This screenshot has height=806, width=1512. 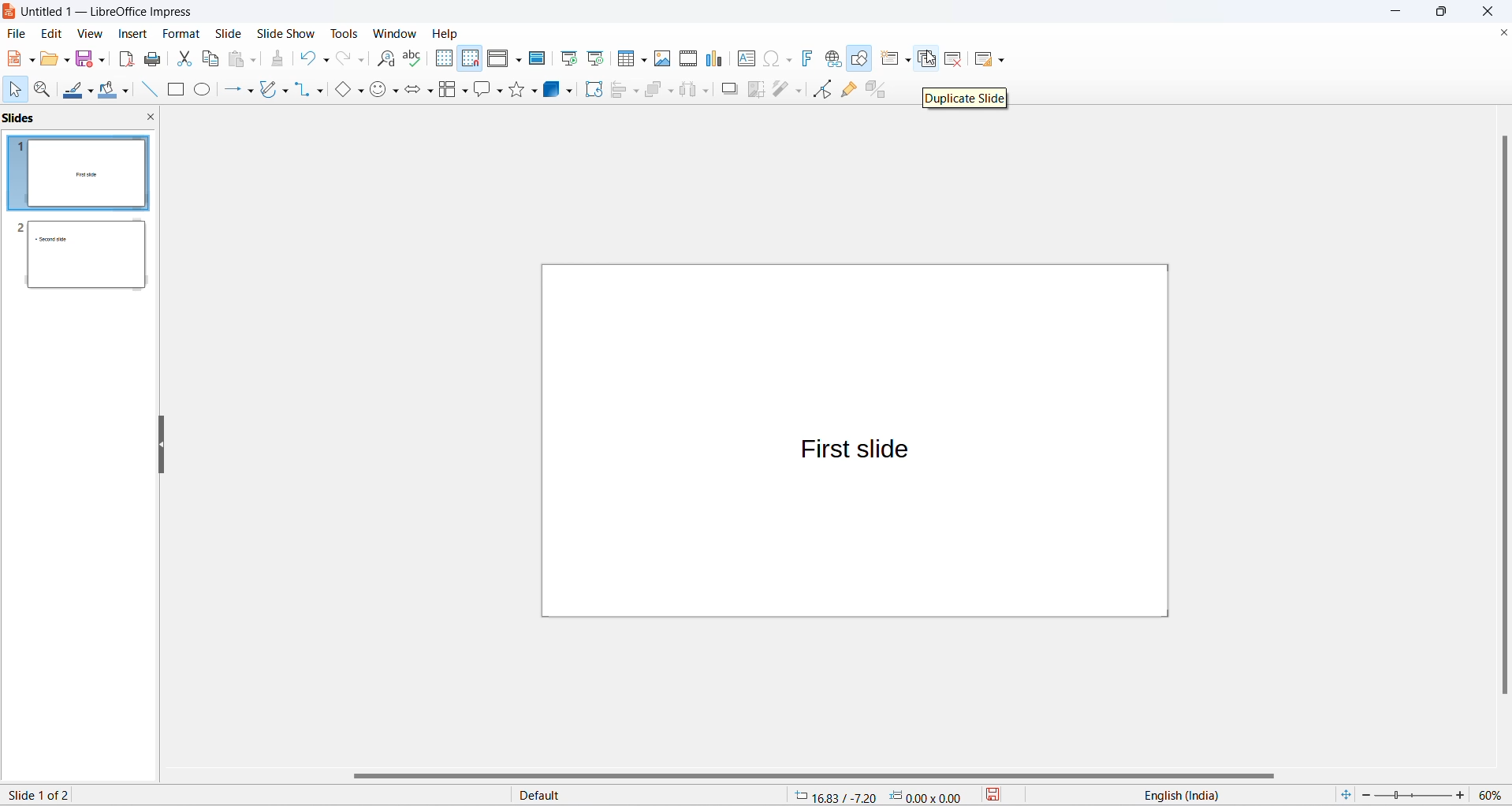 What do you see at coordinates (1501, 35) in the screenshot?
I see `close document` at bounding box center [1501, 35].